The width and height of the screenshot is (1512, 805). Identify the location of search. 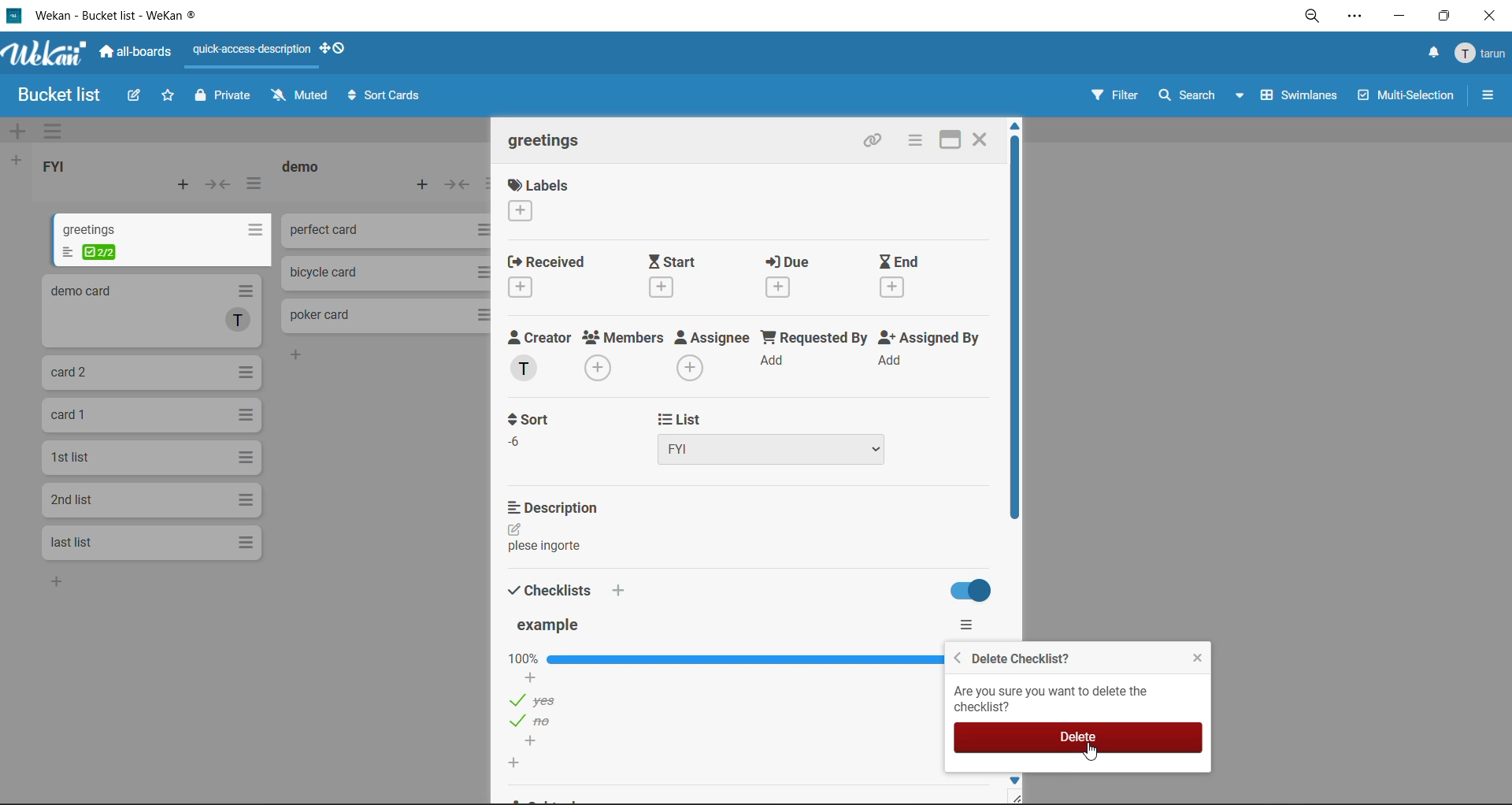
(1204, 95).